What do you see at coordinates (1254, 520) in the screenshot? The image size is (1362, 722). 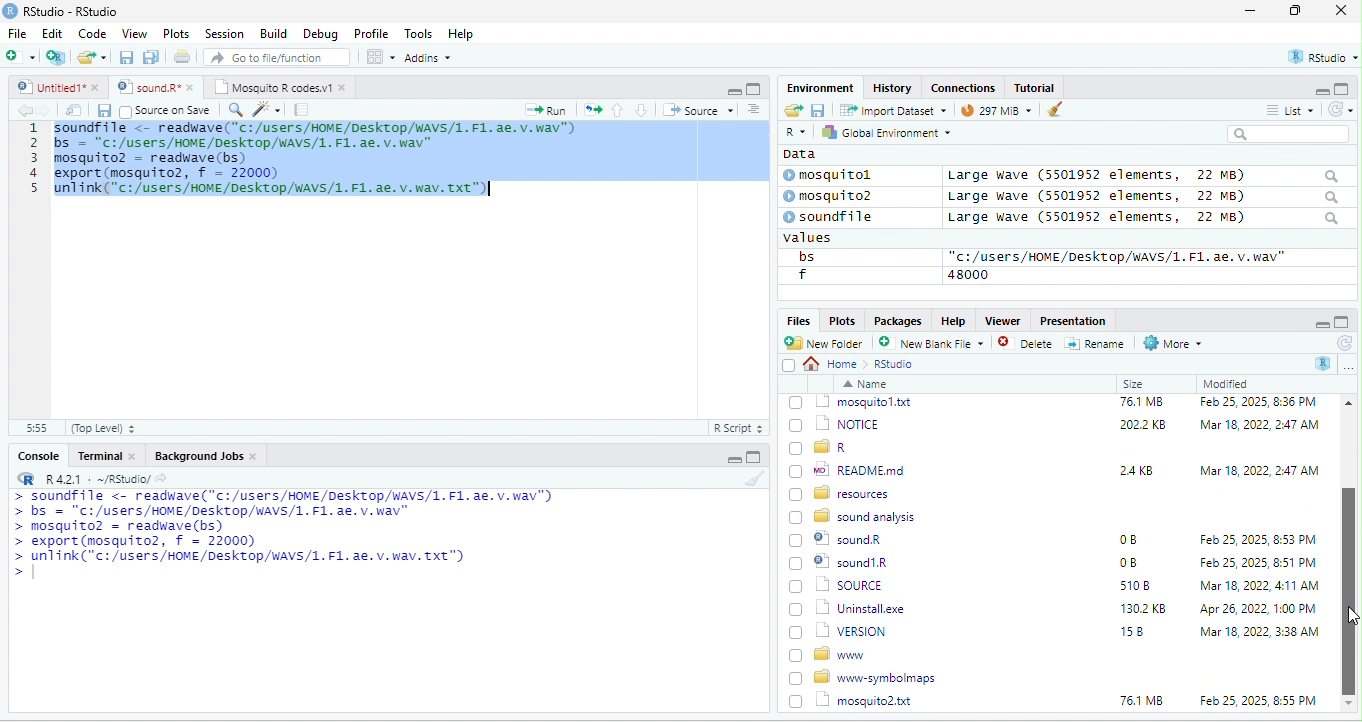 I see `Feb 25, 2025, 8:36 PM` at bounding box center [1254, 520].